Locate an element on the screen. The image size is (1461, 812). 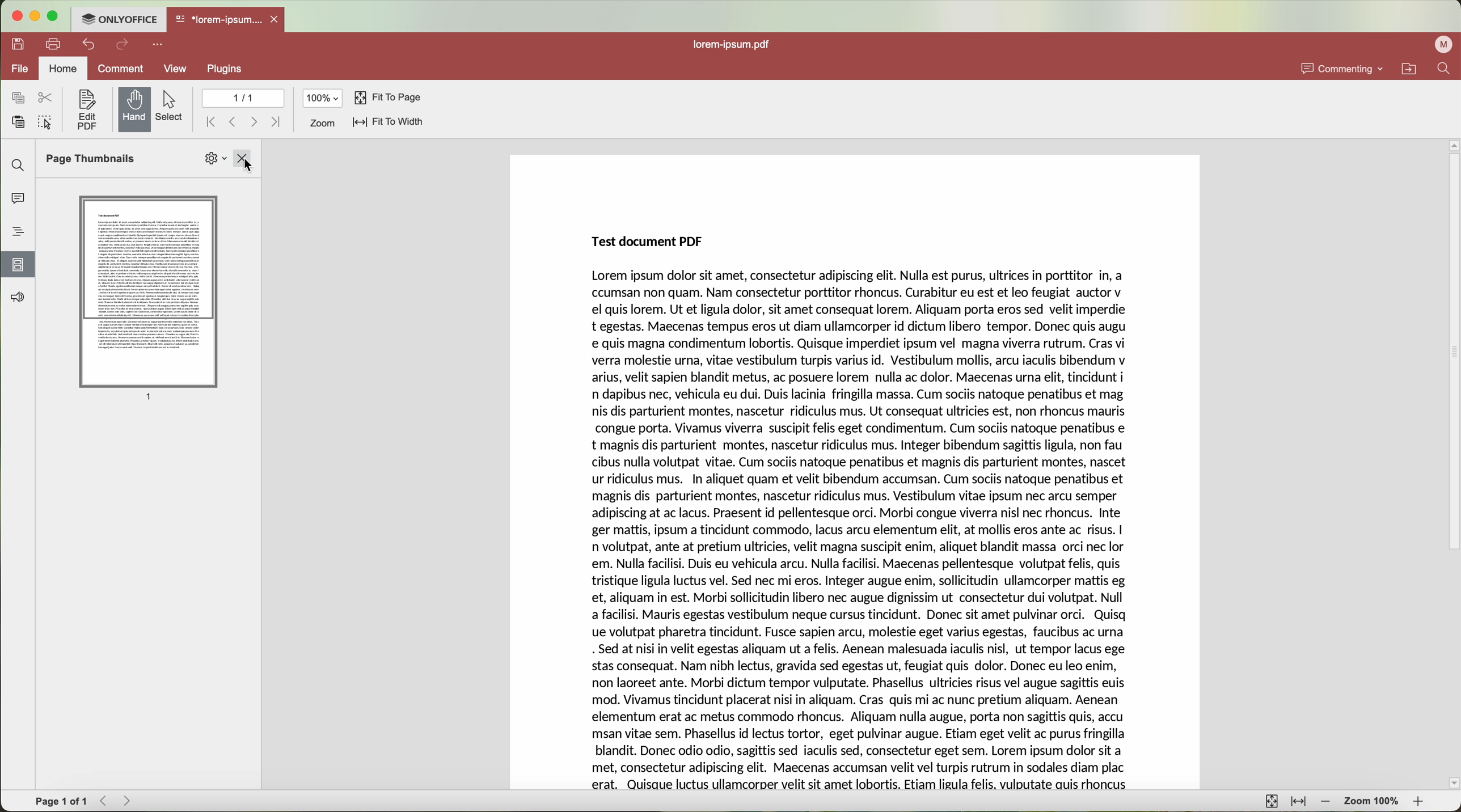
redo is located at coordinates (123, 46).